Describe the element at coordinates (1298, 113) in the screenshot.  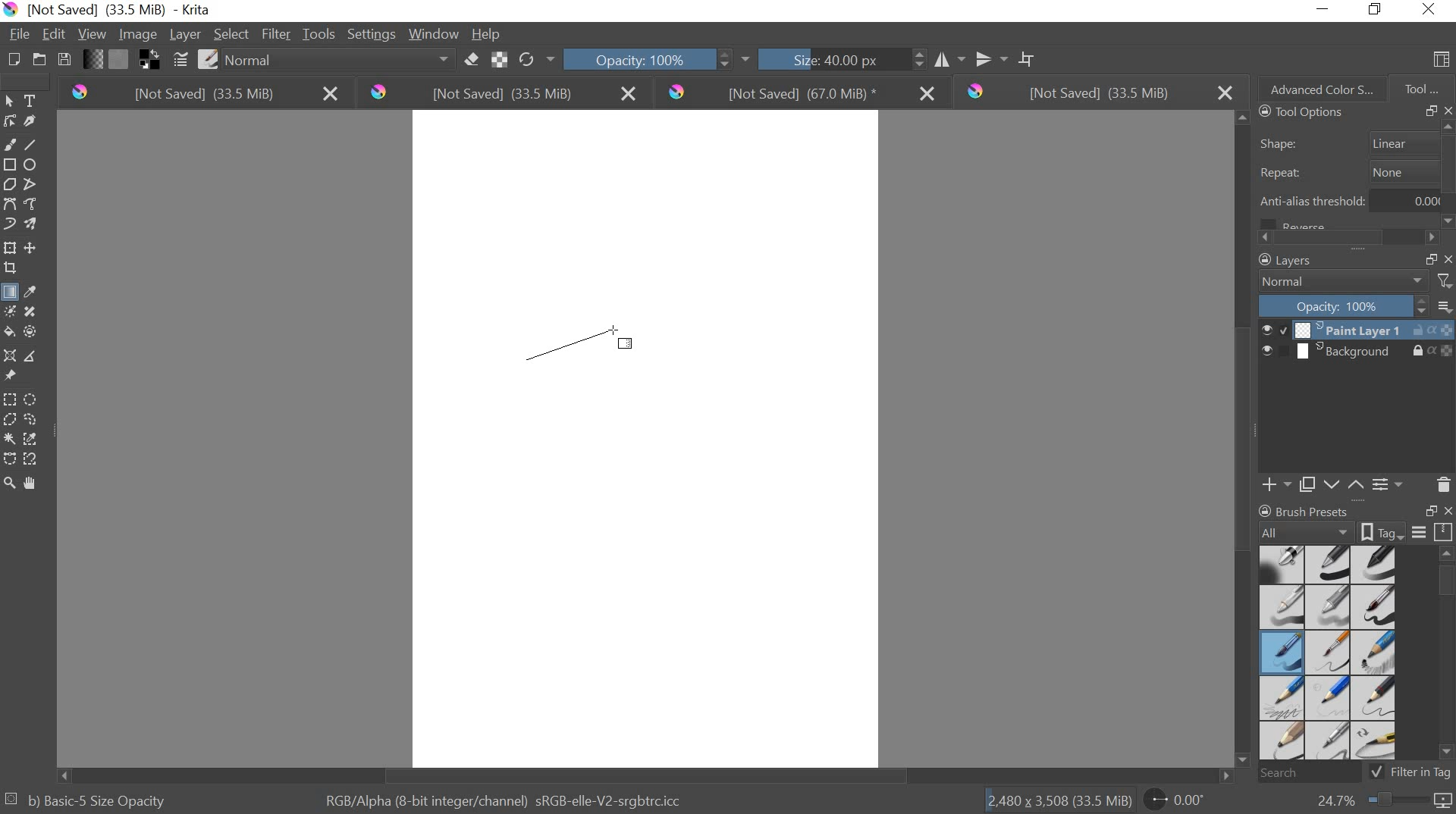
I see `TOOLS OPTIONS` at that location.